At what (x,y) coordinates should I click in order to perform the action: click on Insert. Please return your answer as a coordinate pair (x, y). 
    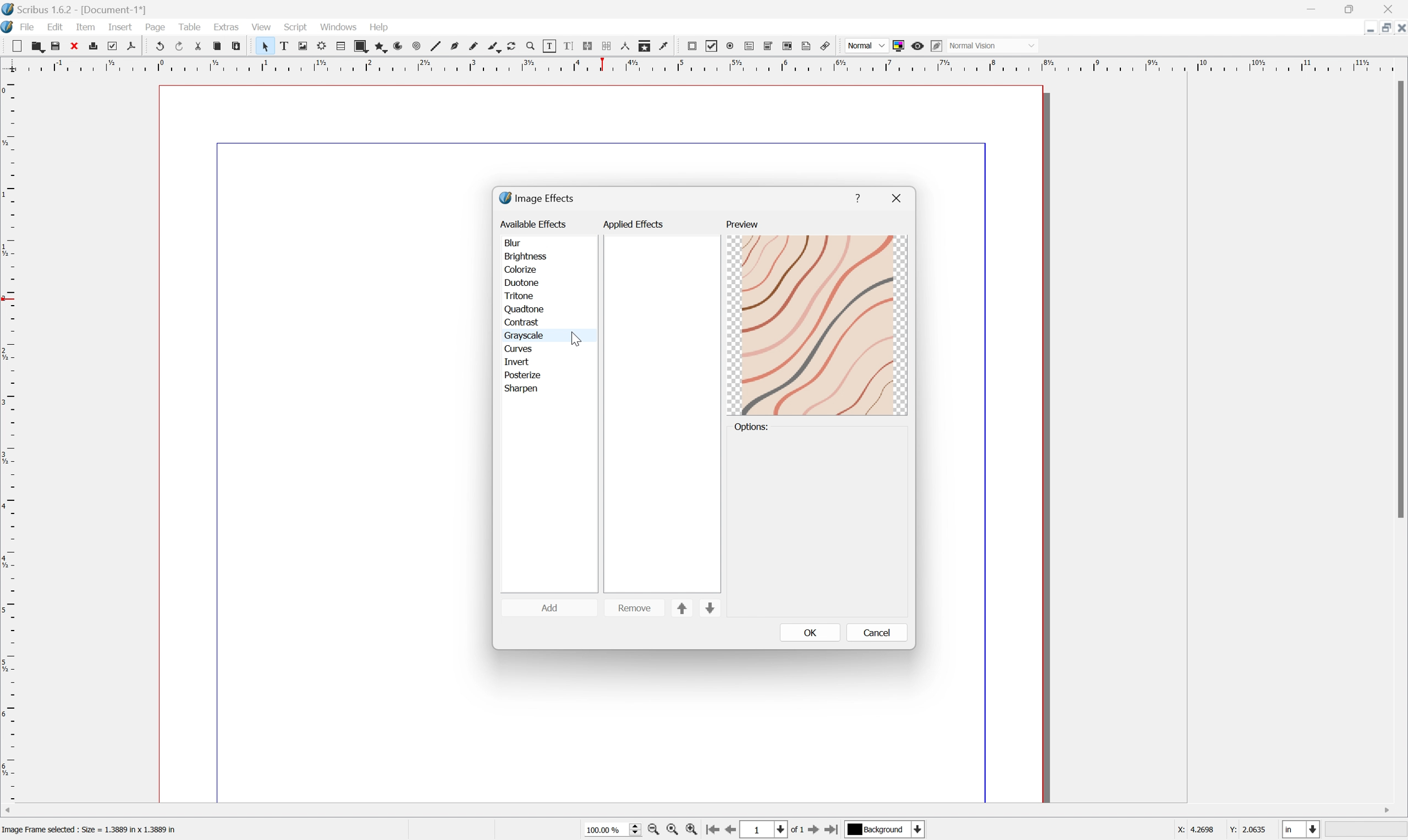
    Looking at the image, I should click on (119, 27).